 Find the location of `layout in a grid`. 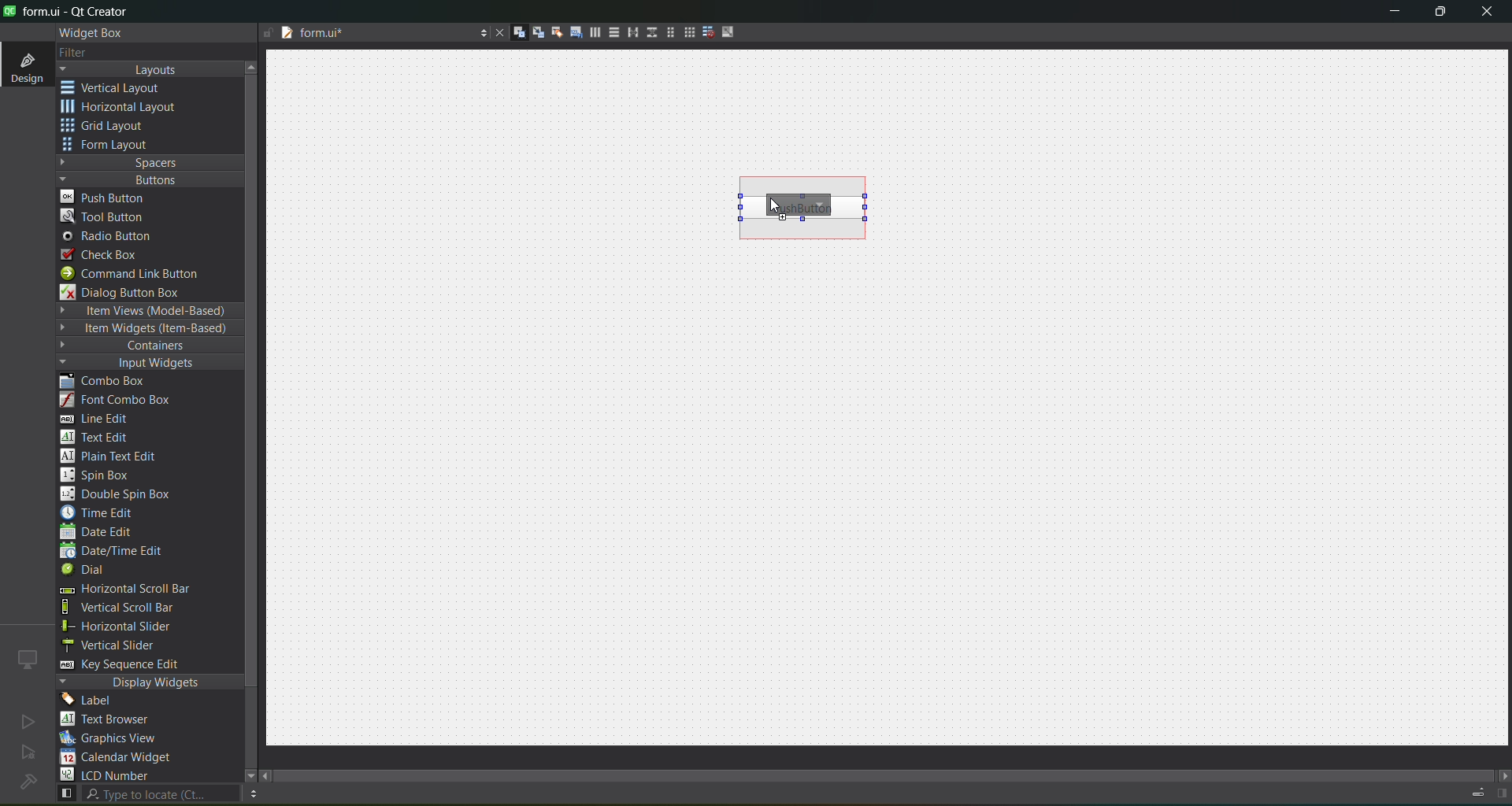

layout in a grid is located at coordinates (684, 32).